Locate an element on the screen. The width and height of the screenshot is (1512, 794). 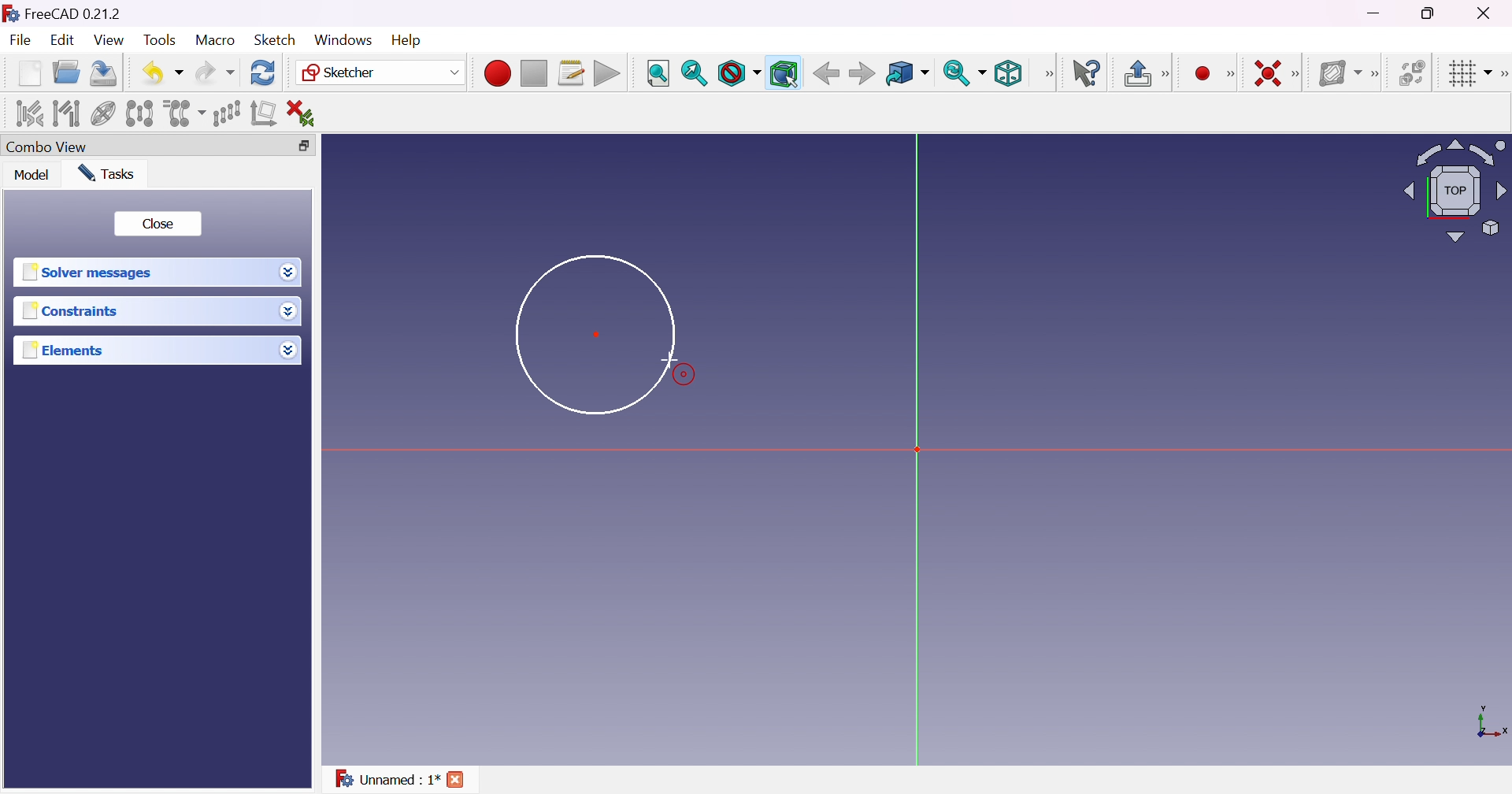
Unnamed : 1* is located at coordinates (386, 777).